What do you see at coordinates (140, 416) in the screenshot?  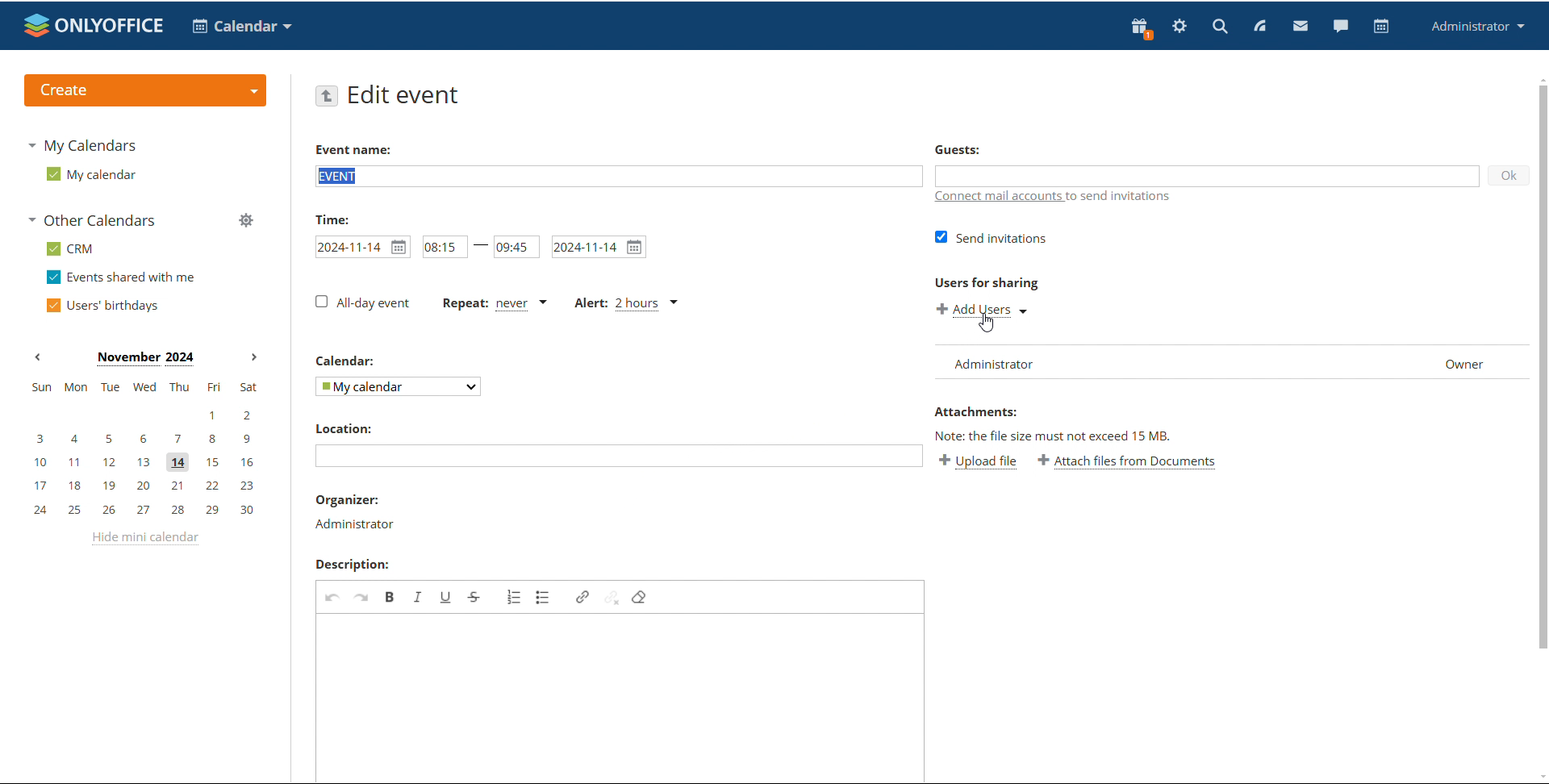 I see `1, 2` at bounding box center [140, 416].